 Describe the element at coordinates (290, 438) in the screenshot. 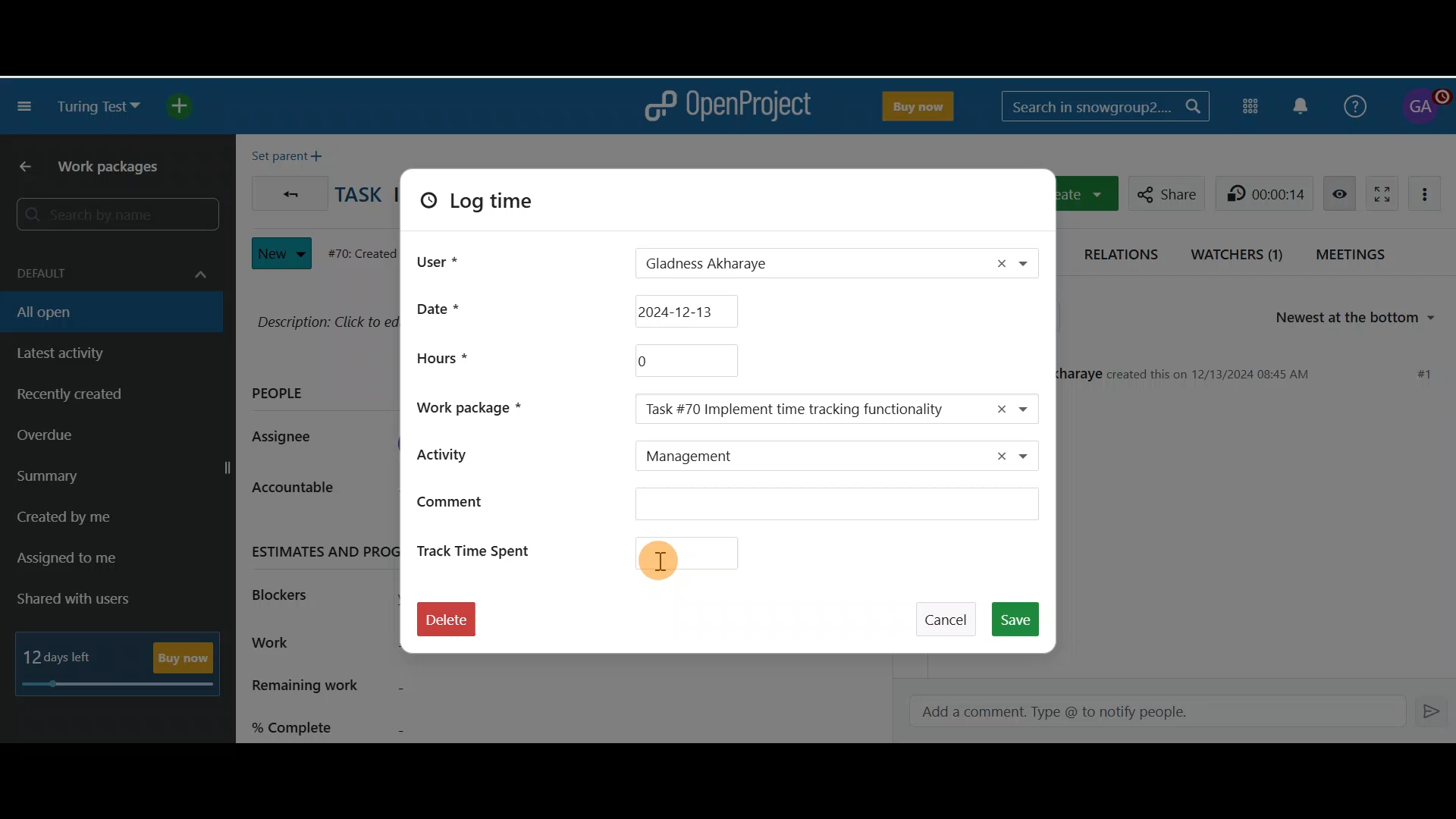

I see `Assignee` at that location.